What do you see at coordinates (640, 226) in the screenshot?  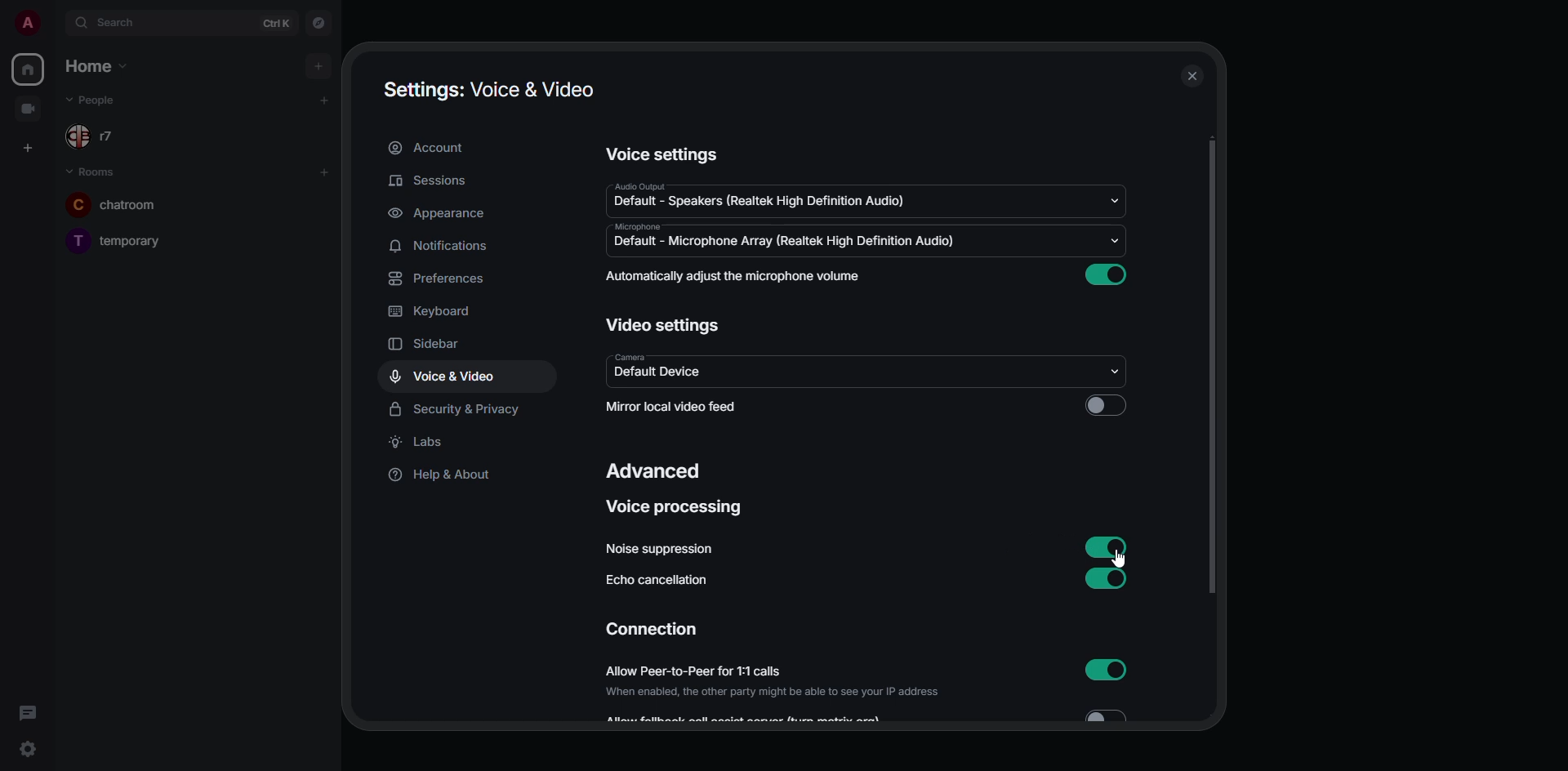 I see `microphone` at bounding box center [640, 226].